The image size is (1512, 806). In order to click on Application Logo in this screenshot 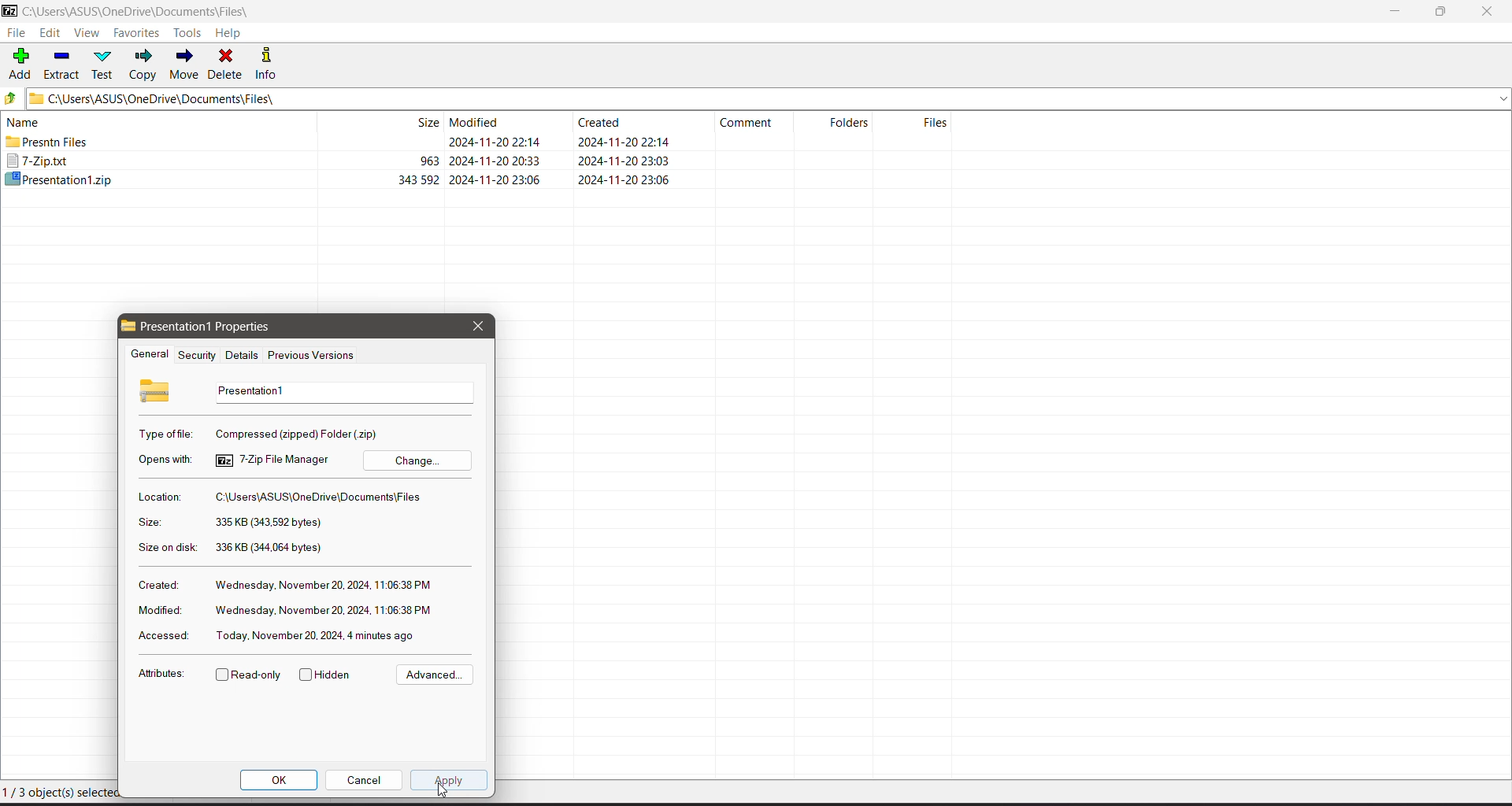, I will do `click(9, 12)`.